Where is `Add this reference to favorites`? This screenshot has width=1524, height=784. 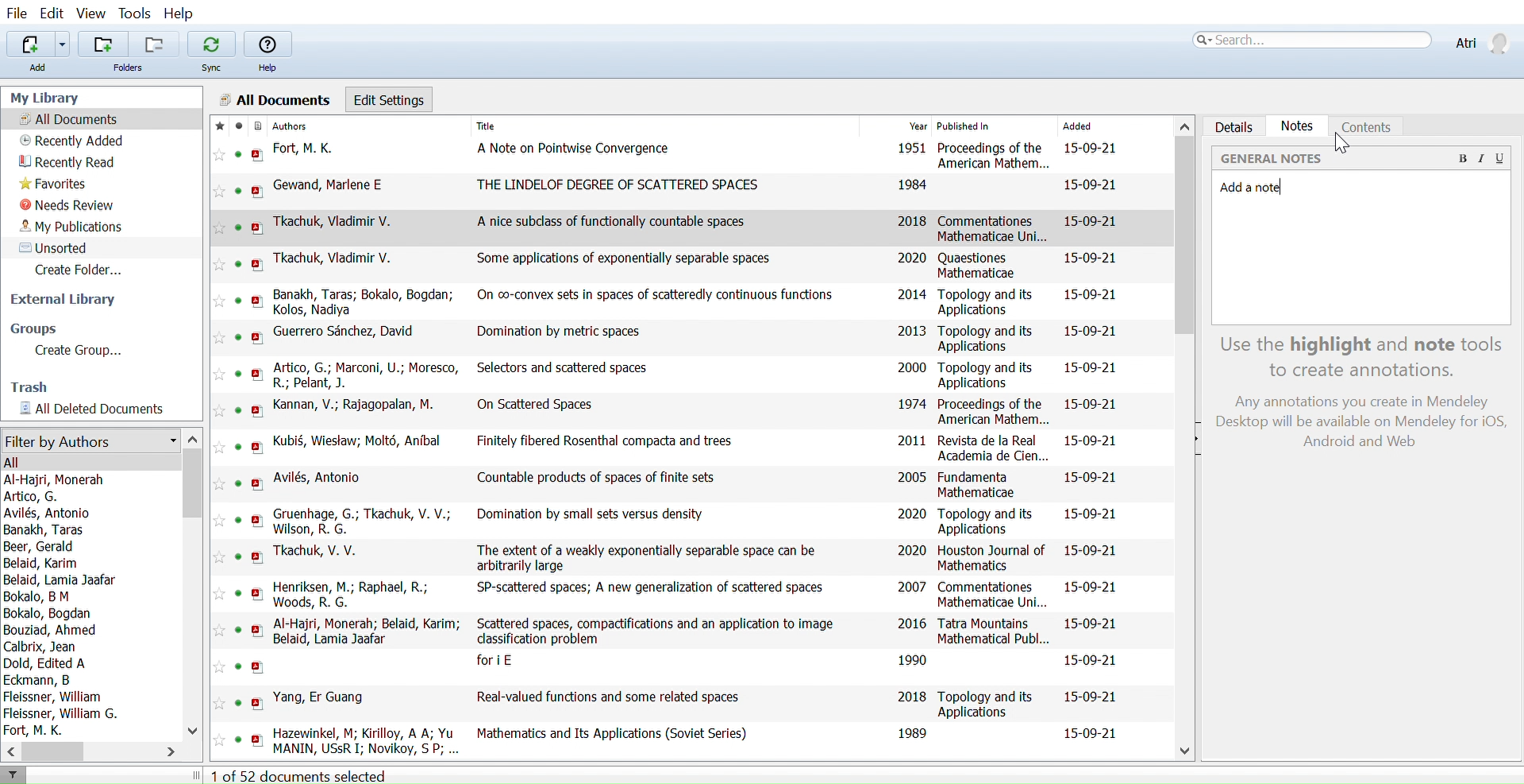
Add this reference to favorites is located at coordinates (220, 337).